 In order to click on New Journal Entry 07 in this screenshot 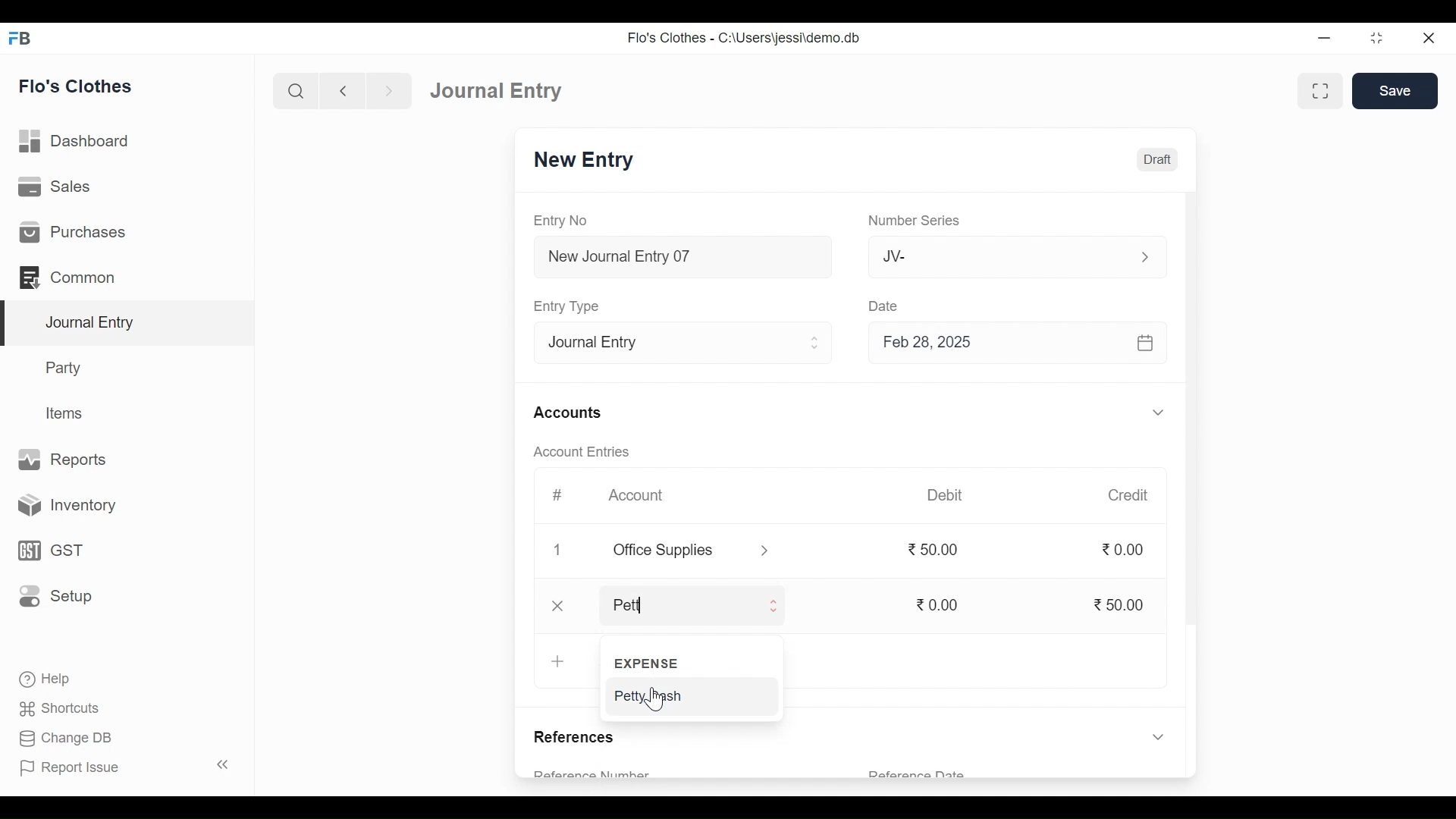, I will do `click(684, 259)`.